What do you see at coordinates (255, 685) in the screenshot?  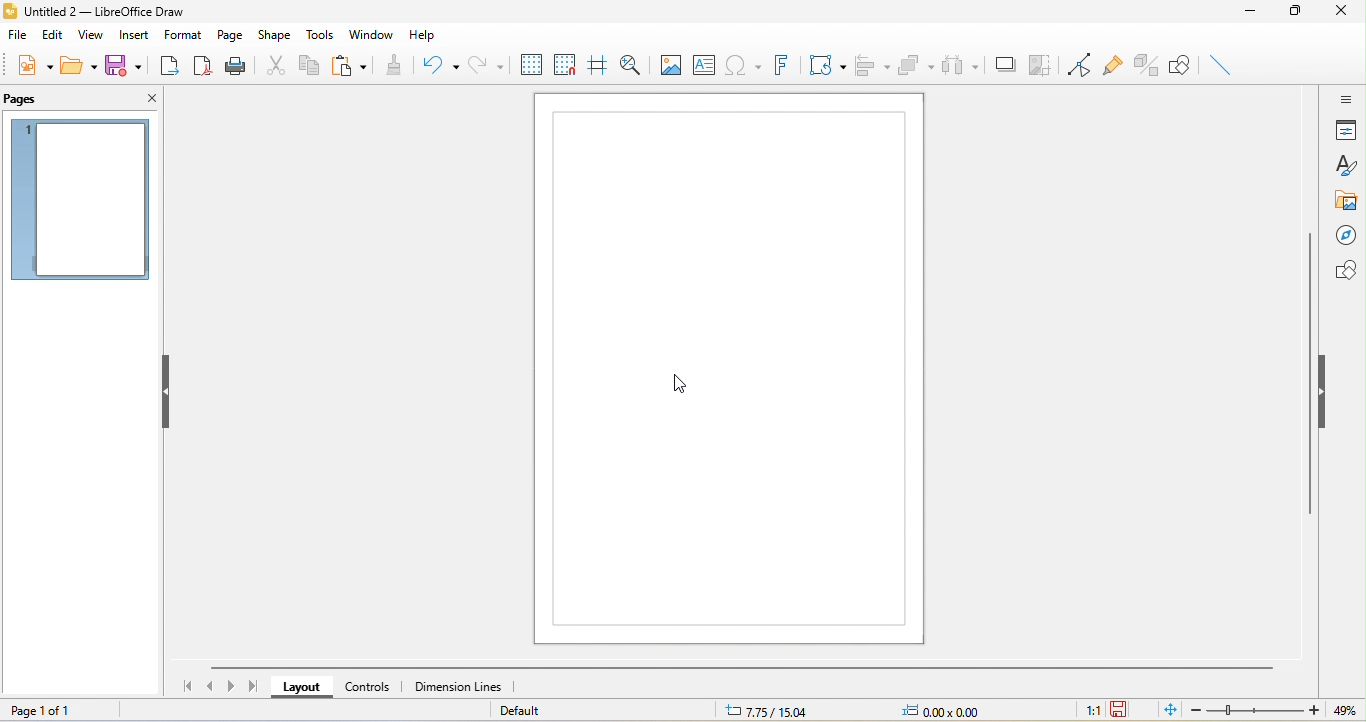 I see `last page` at bounding box center [255, 685].